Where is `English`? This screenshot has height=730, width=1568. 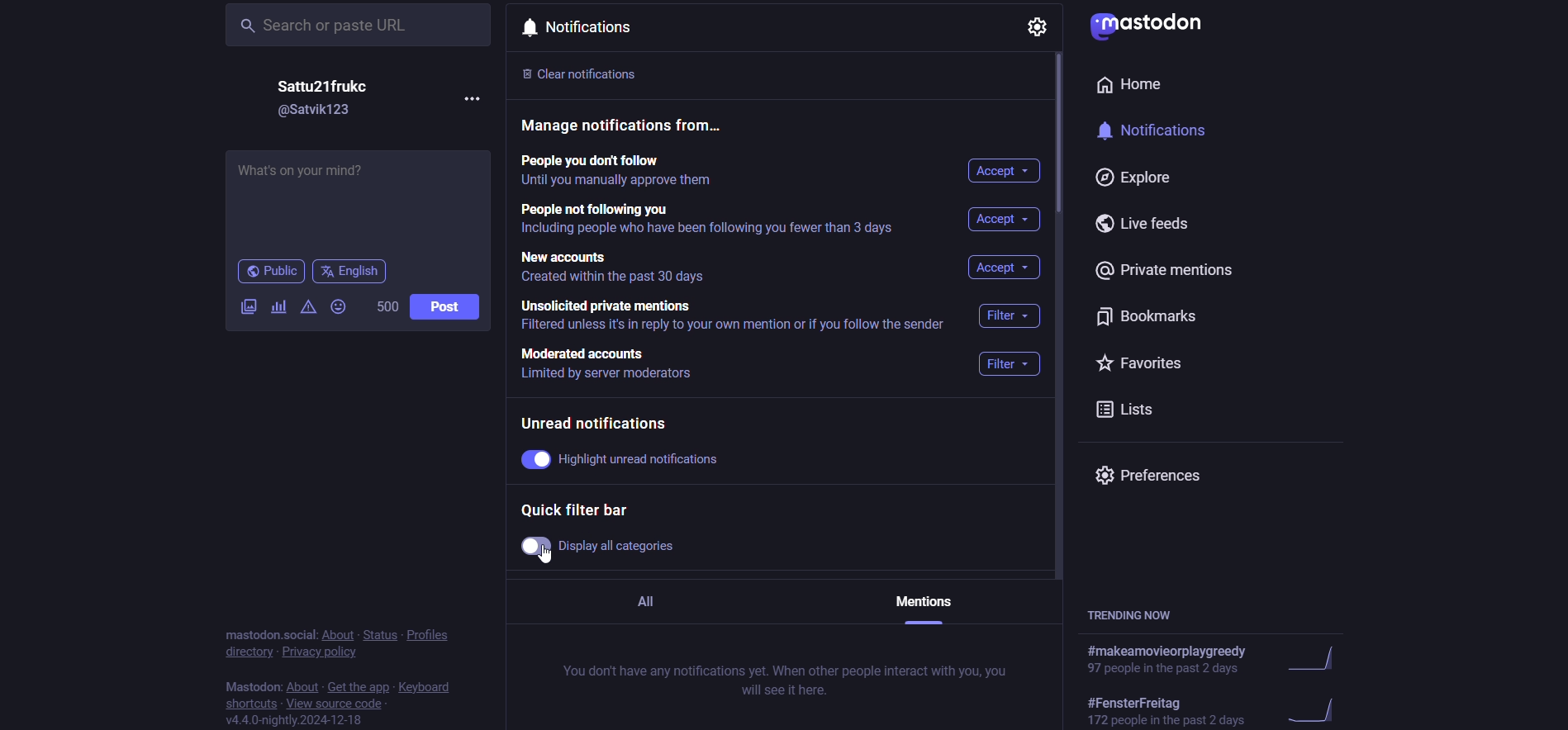
English is located at coordinates (349, 273).